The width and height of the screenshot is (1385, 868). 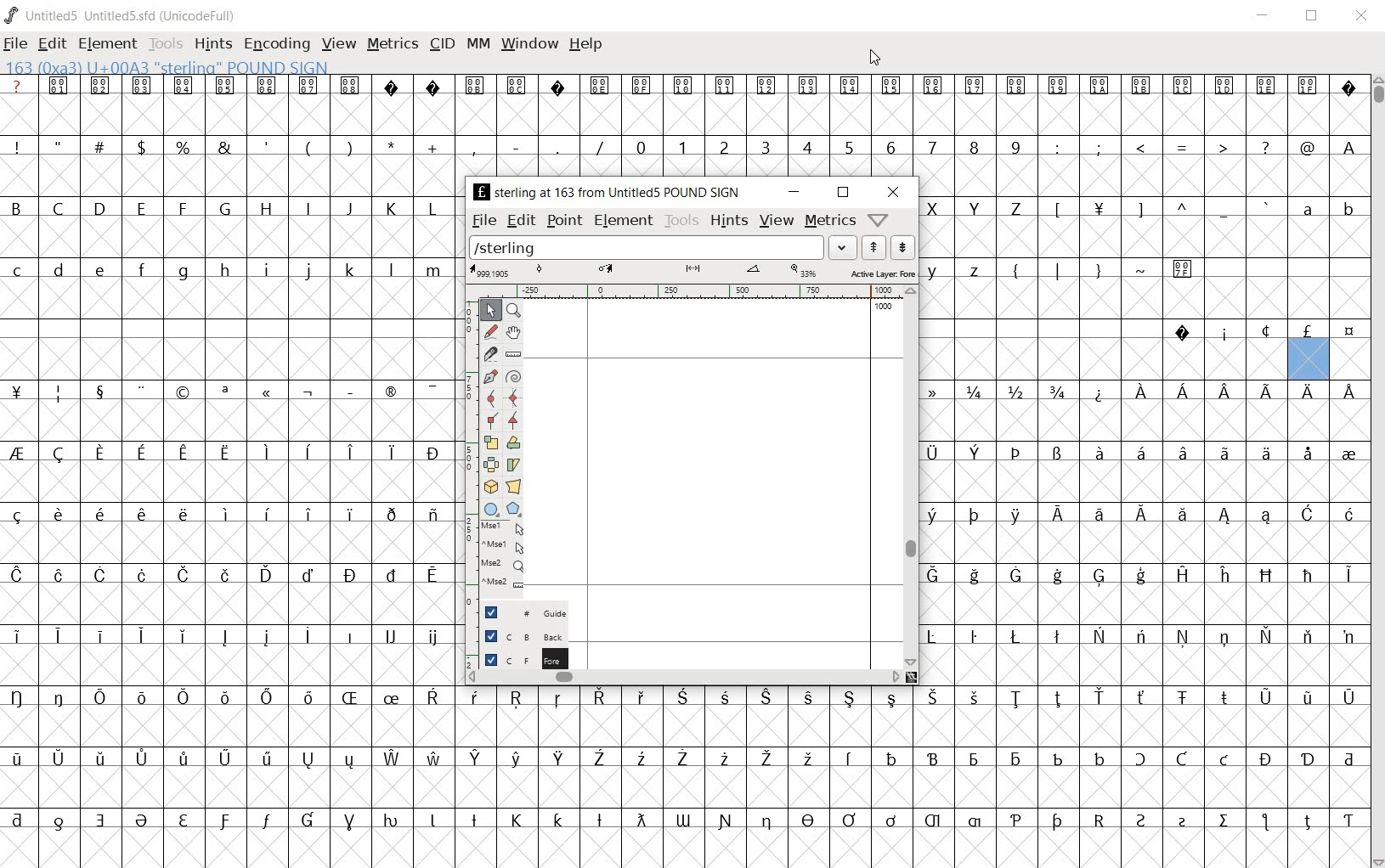 I want to click on k, so click(x=349, y=269).